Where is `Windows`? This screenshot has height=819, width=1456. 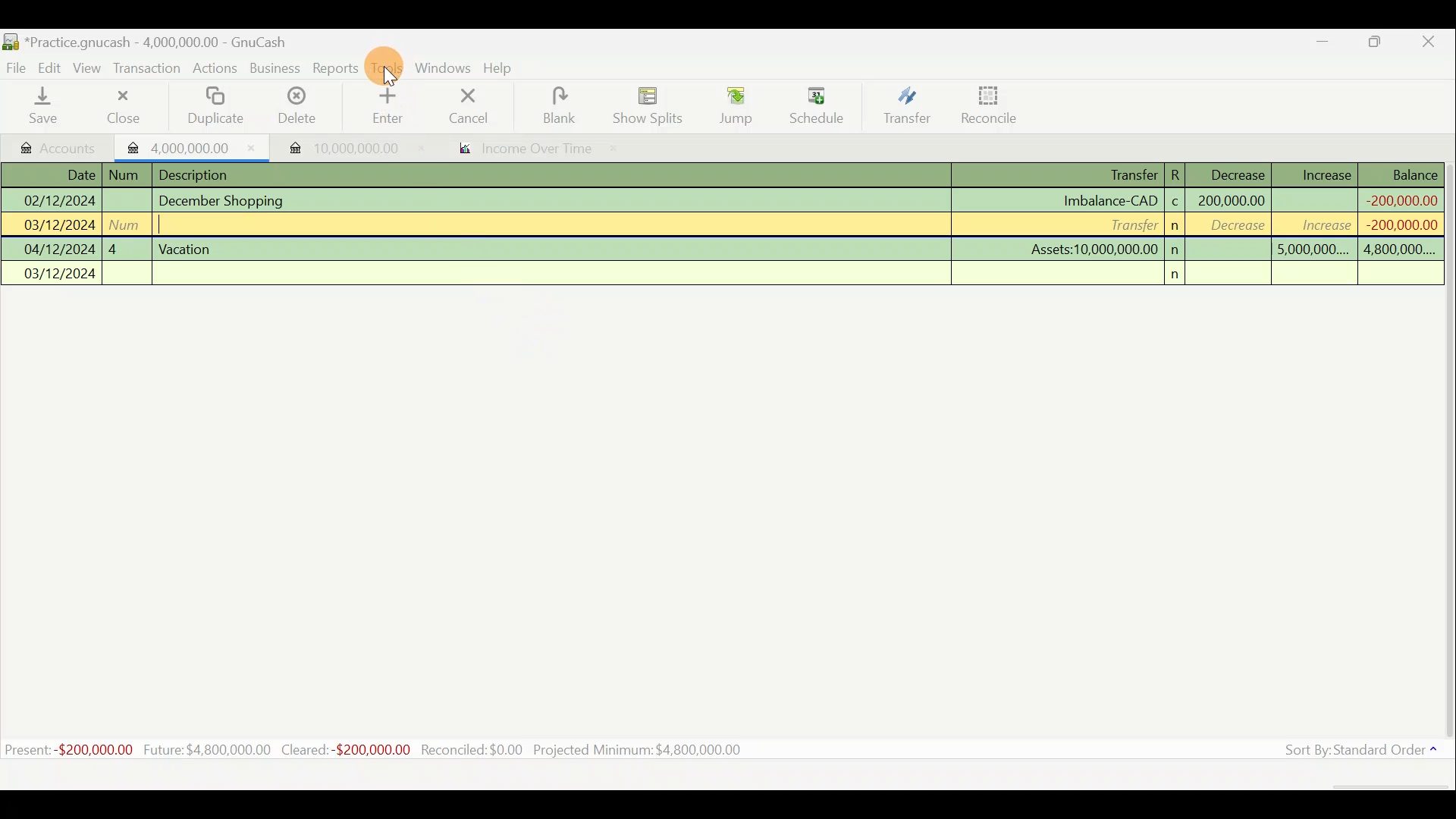 Windows is located at coordinates (443, 68).